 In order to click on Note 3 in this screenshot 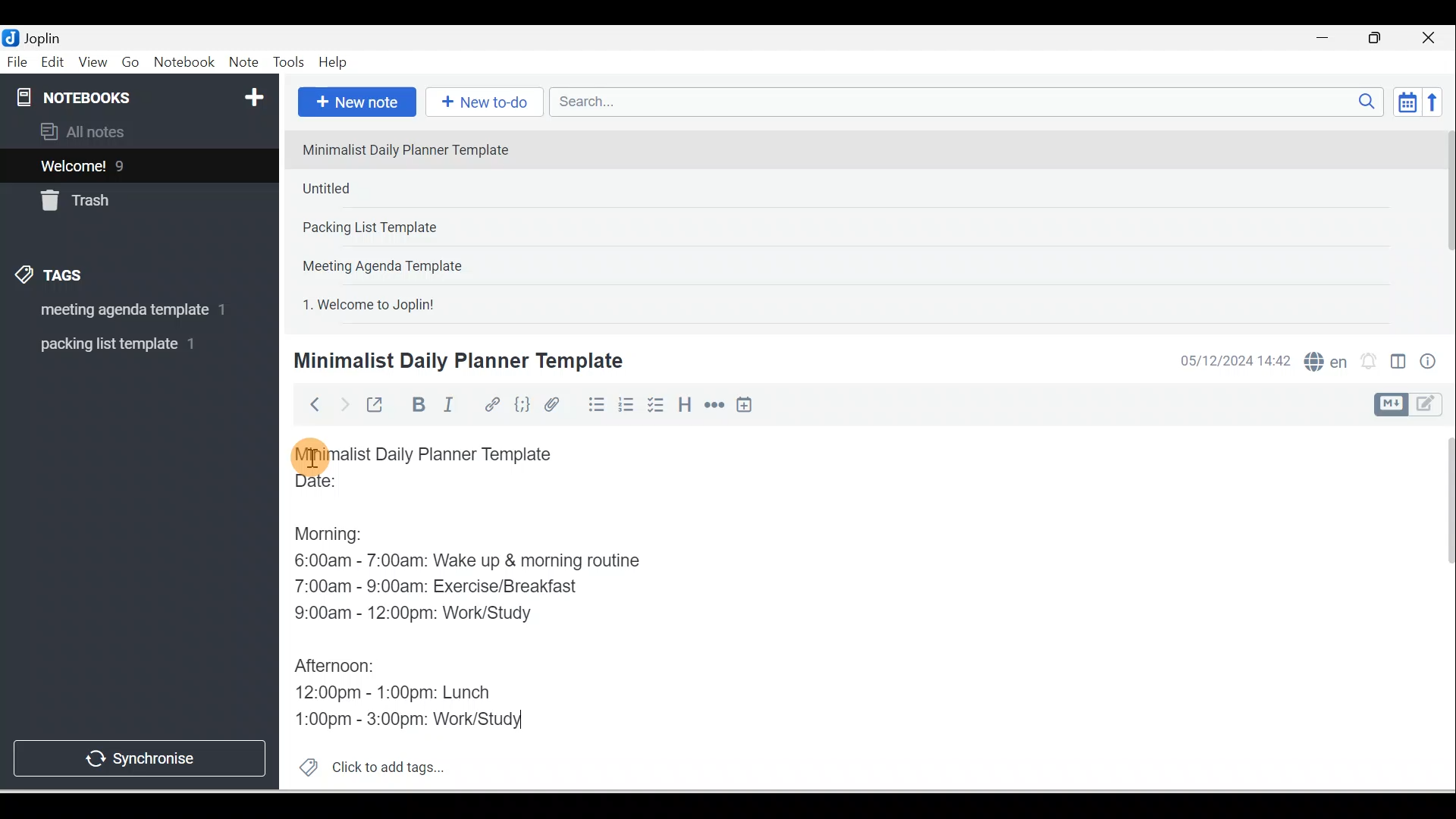, I will do `click(418, 228)`.